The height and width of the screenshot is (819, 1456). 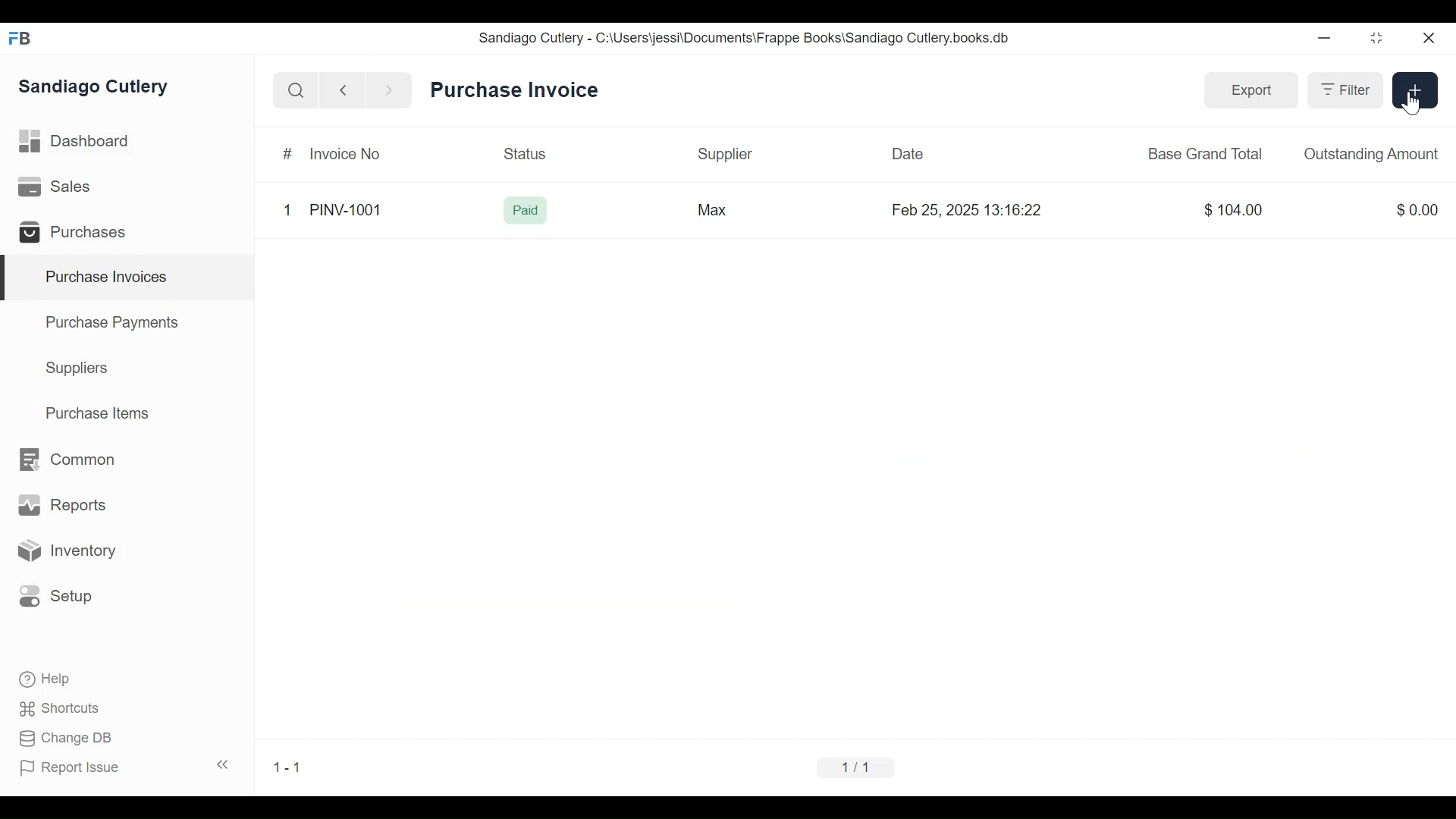 What do you see at coordinates (96, 88) in the screenshot?
I see `Sandiago Cutlery` at bounding box center [96, 88].